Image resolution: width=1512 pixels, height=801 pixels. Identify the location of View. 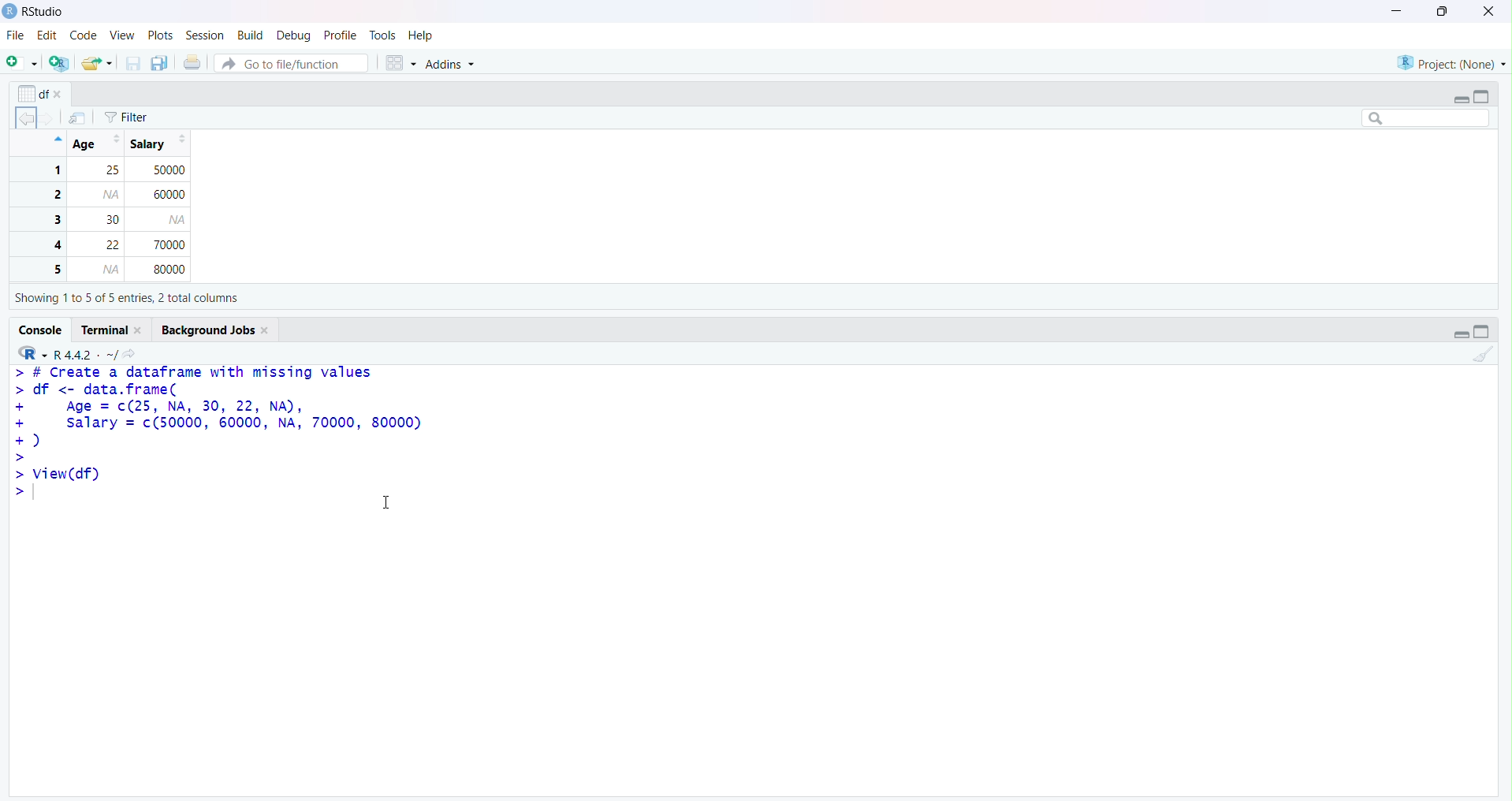
(121, 36).